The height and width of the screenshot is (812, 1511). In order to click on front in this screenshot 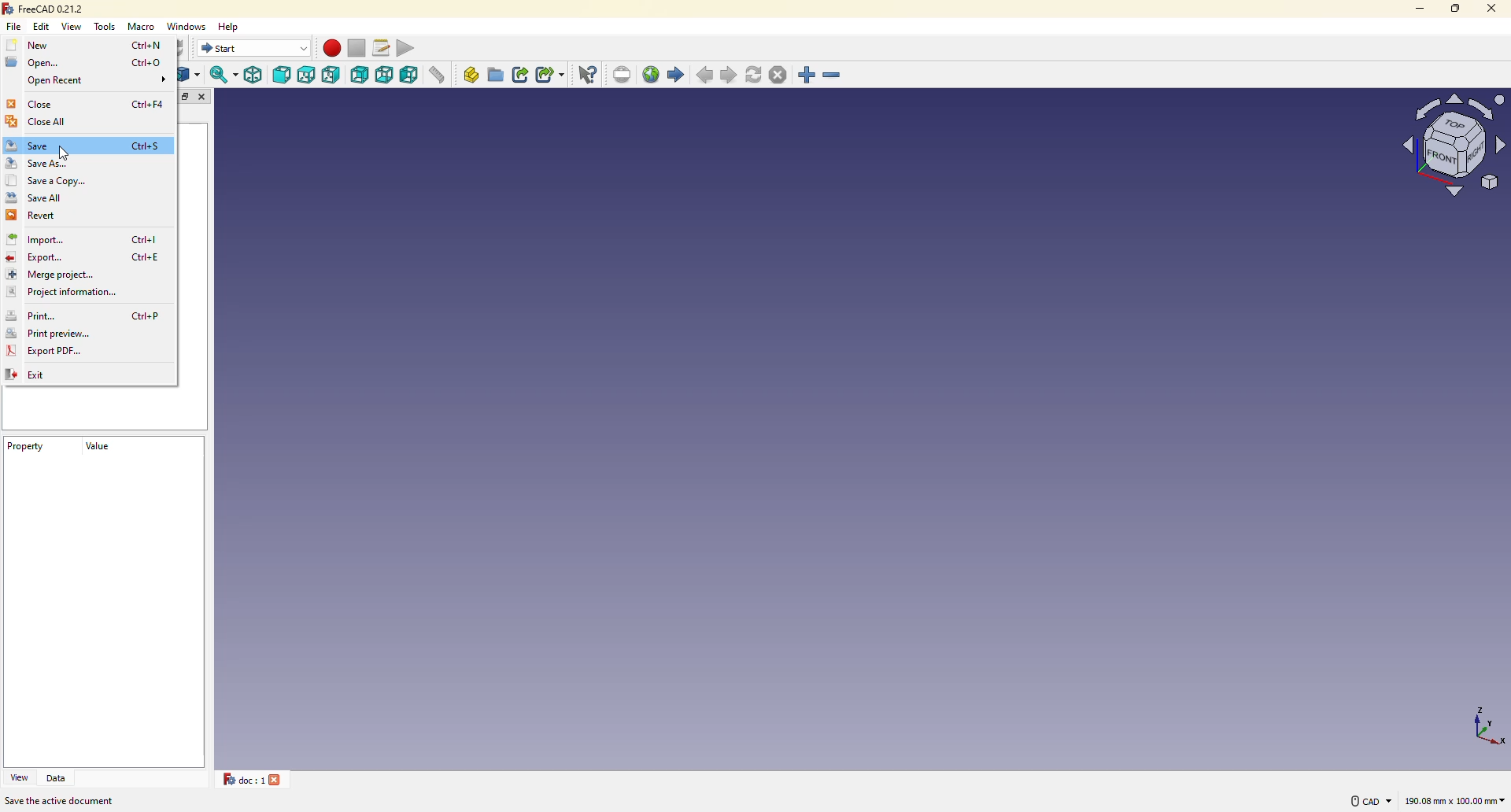, I will do `click(283, 76)`.